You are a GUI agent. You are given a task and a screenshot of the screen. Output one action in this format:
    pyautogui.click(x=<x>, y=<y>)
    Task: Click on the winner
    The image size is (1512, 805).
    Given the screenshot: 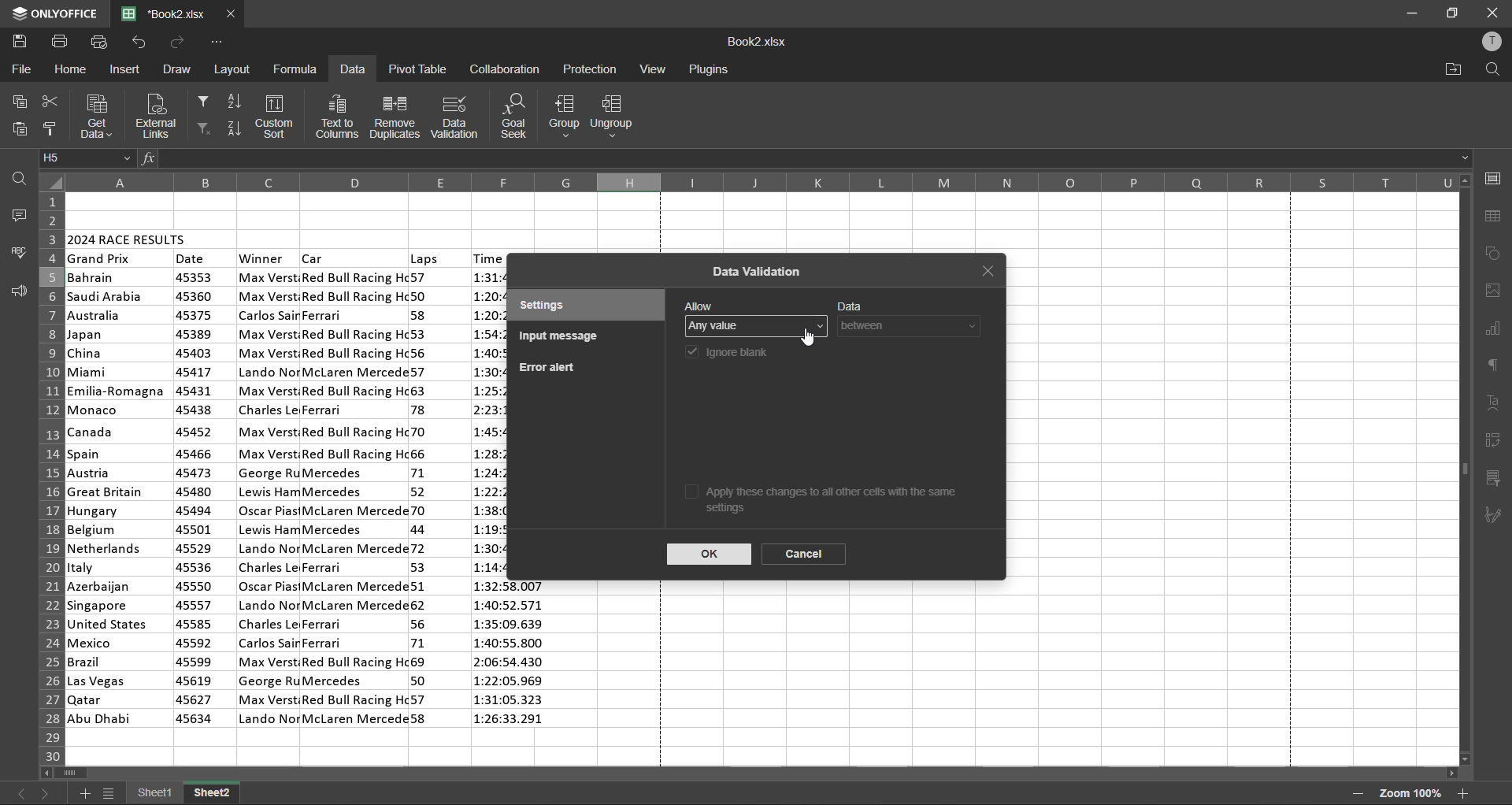 What is the action you would take?
    pyautogui.click(x=262, y=258)
    